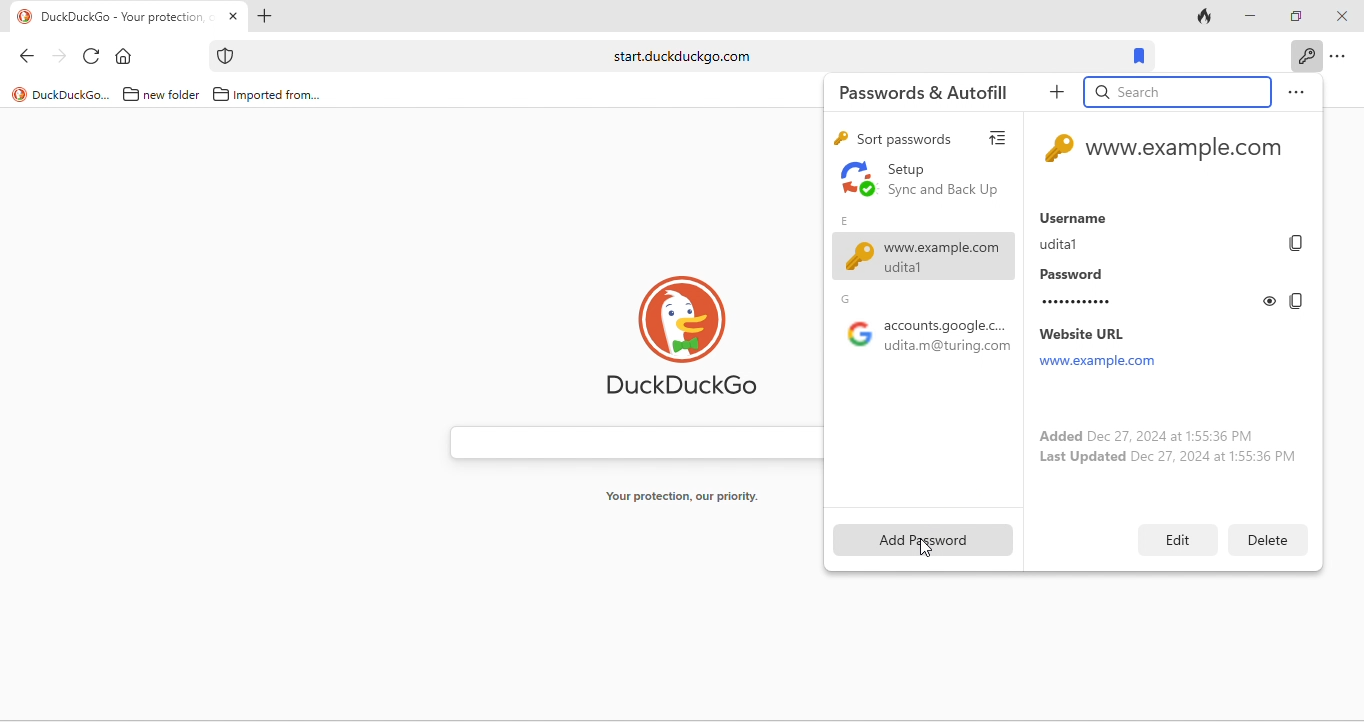 The height and width of the screenshot is (722, 1364). Describe the element at coordinates (129, 17) in the screenshot. I see `tab "DuckDuckGo - Your protection"` at that location.